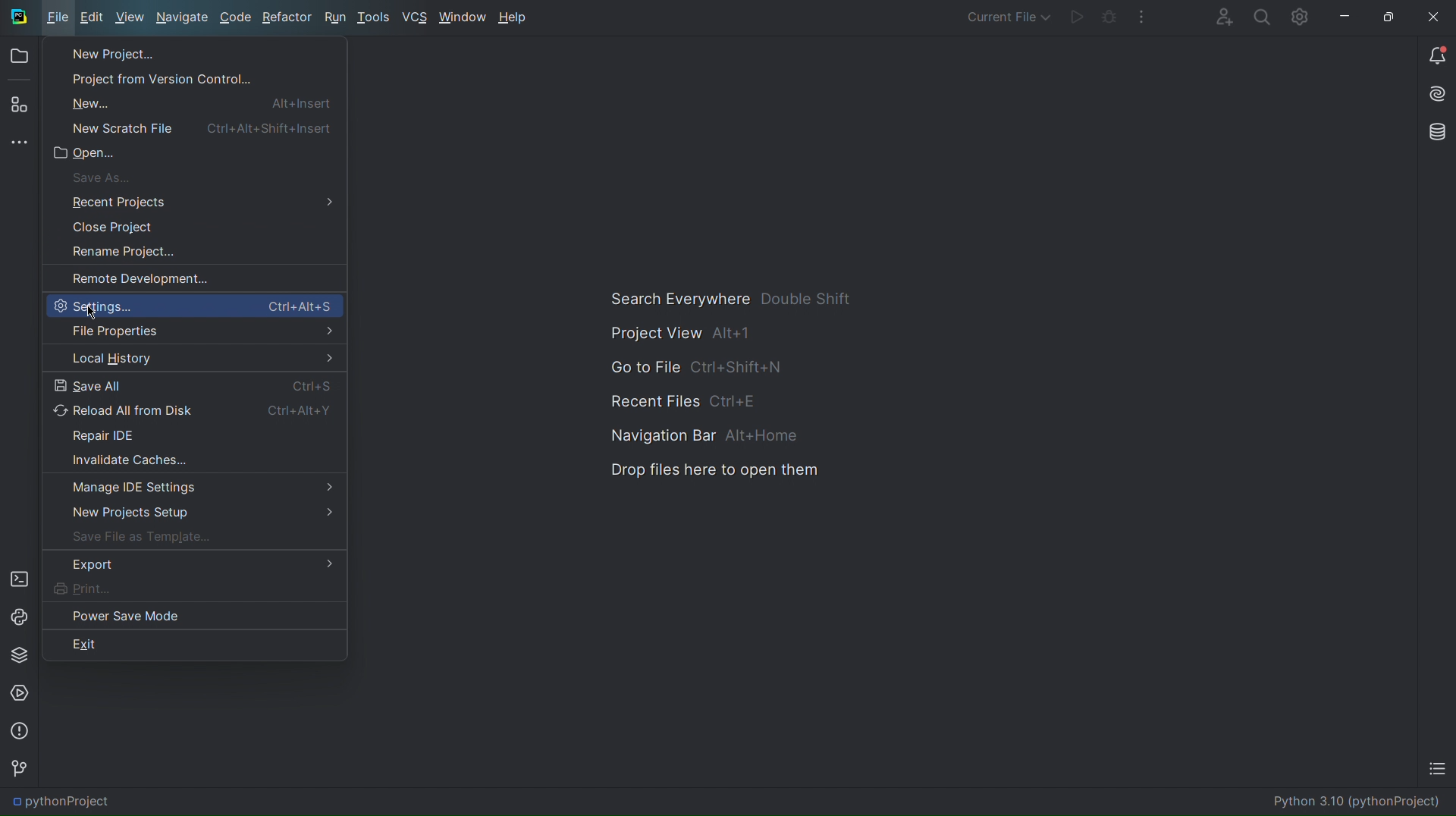 The height and width of the screenshot is (816, 1456). I want to click on Recent Projects, so click(195, 202).